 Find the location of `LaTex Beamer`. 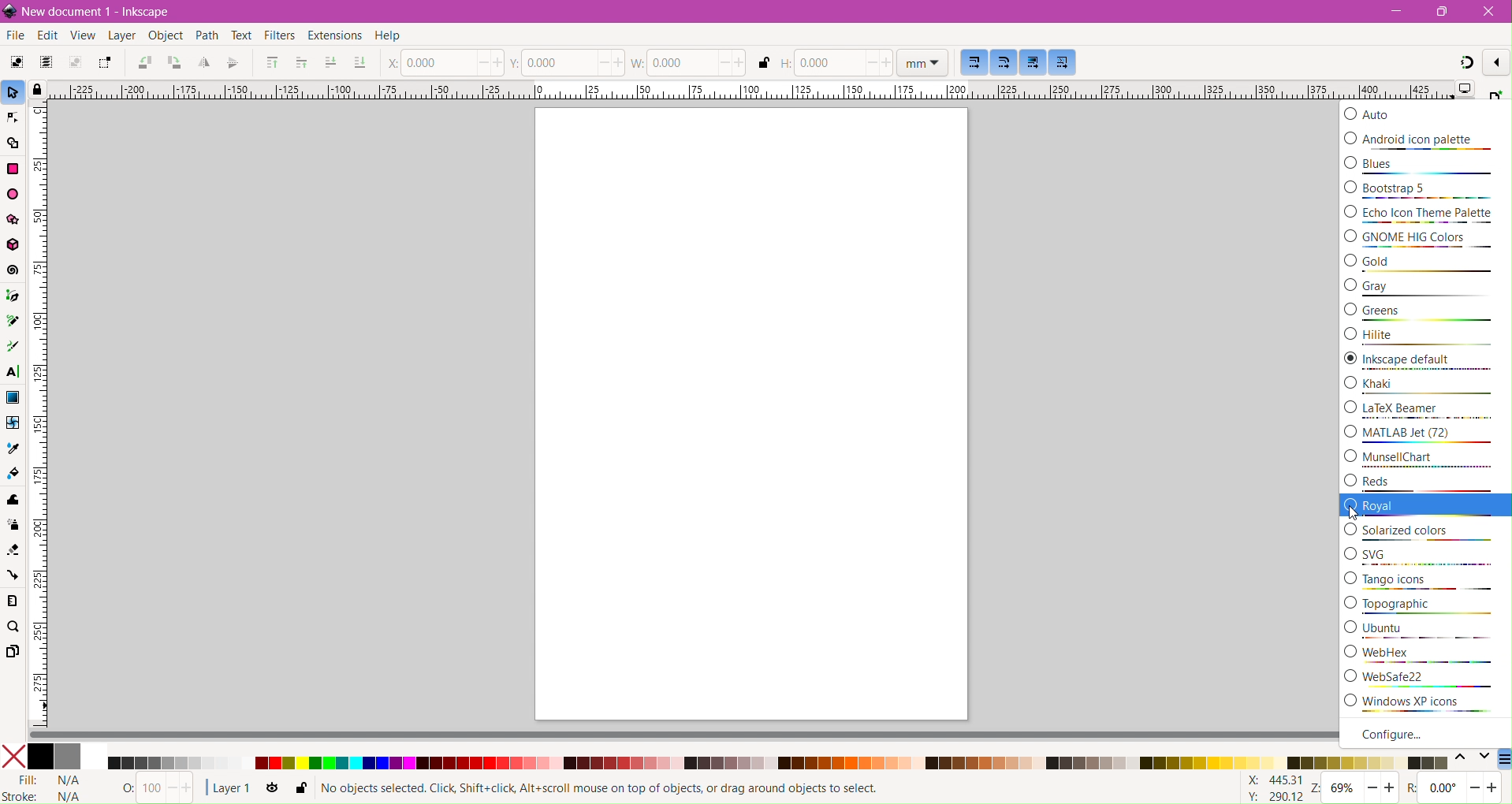

LaTex Beamer is located at coordinates (1426, 410).